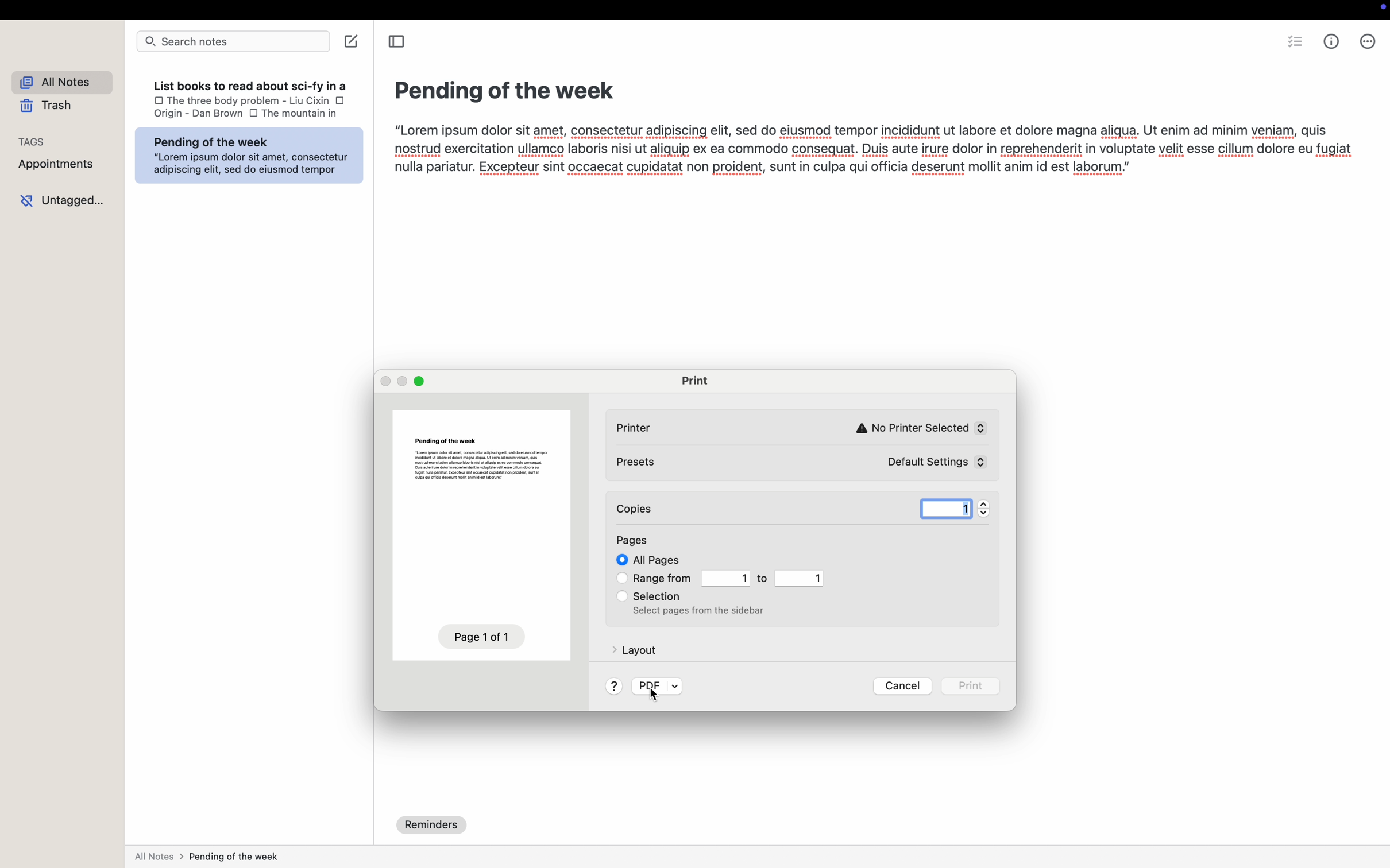 The height and width of the screenshot is (868, 1390). Describe the element at coordinates (387, 381) in the screenshot. I see `disable close popup` at that location.